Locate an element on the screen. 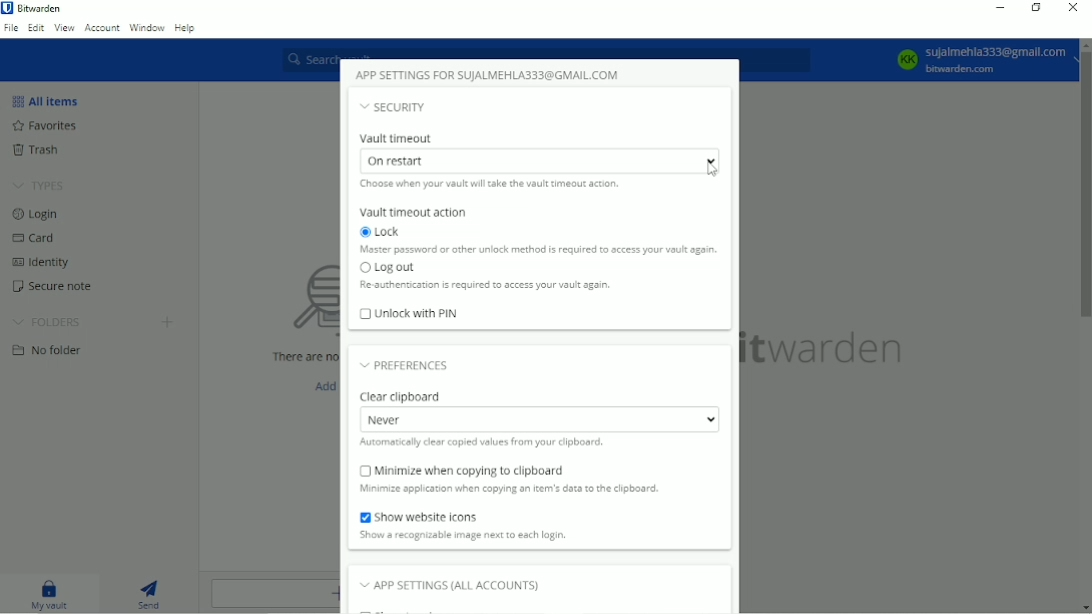 The width and height of the screenshot is (1092, 614). Lock is located at coordinates (385, 232).